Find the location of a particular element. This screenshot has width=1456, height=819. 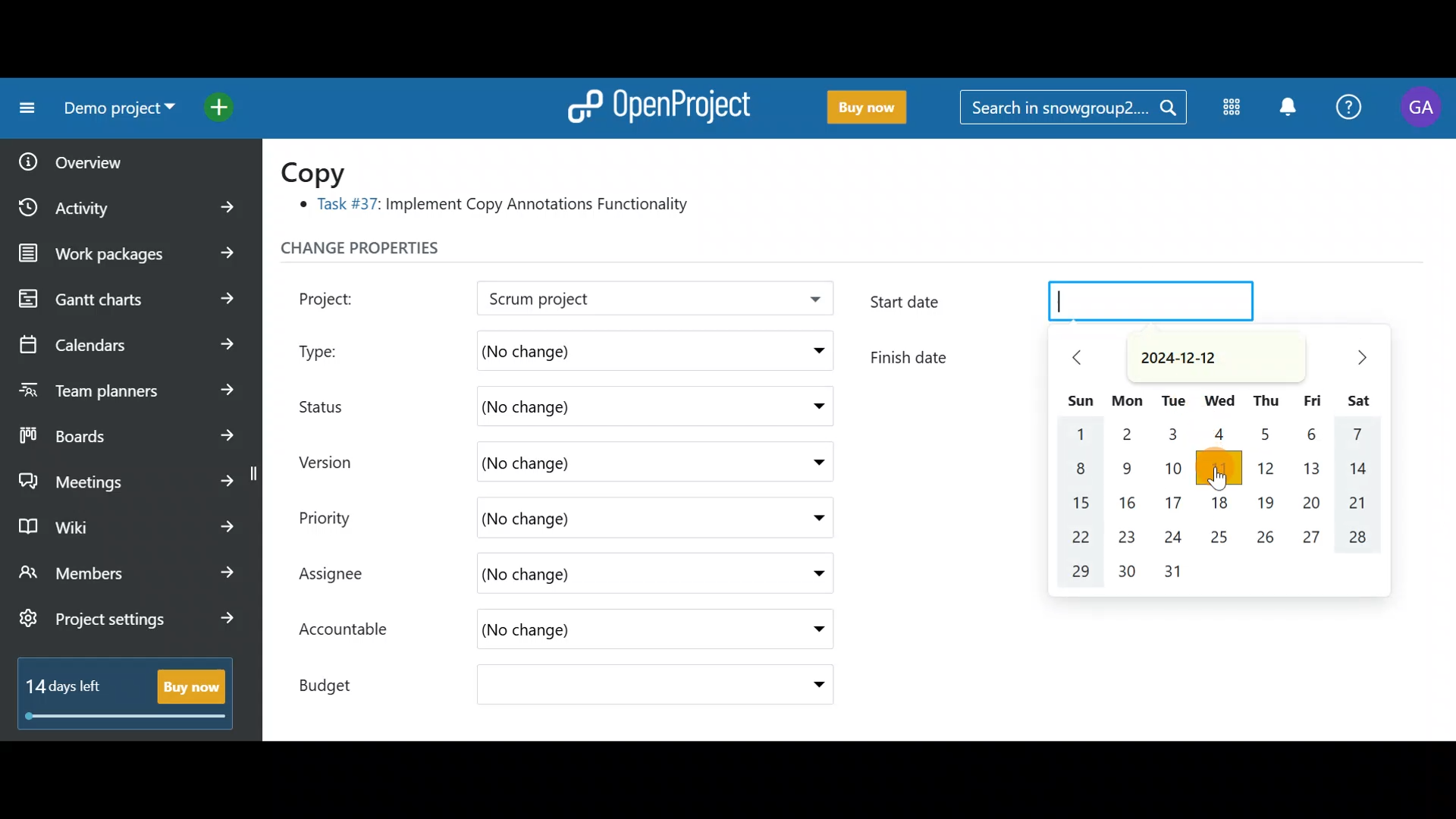

Next is located at coordinates (1357, 357).